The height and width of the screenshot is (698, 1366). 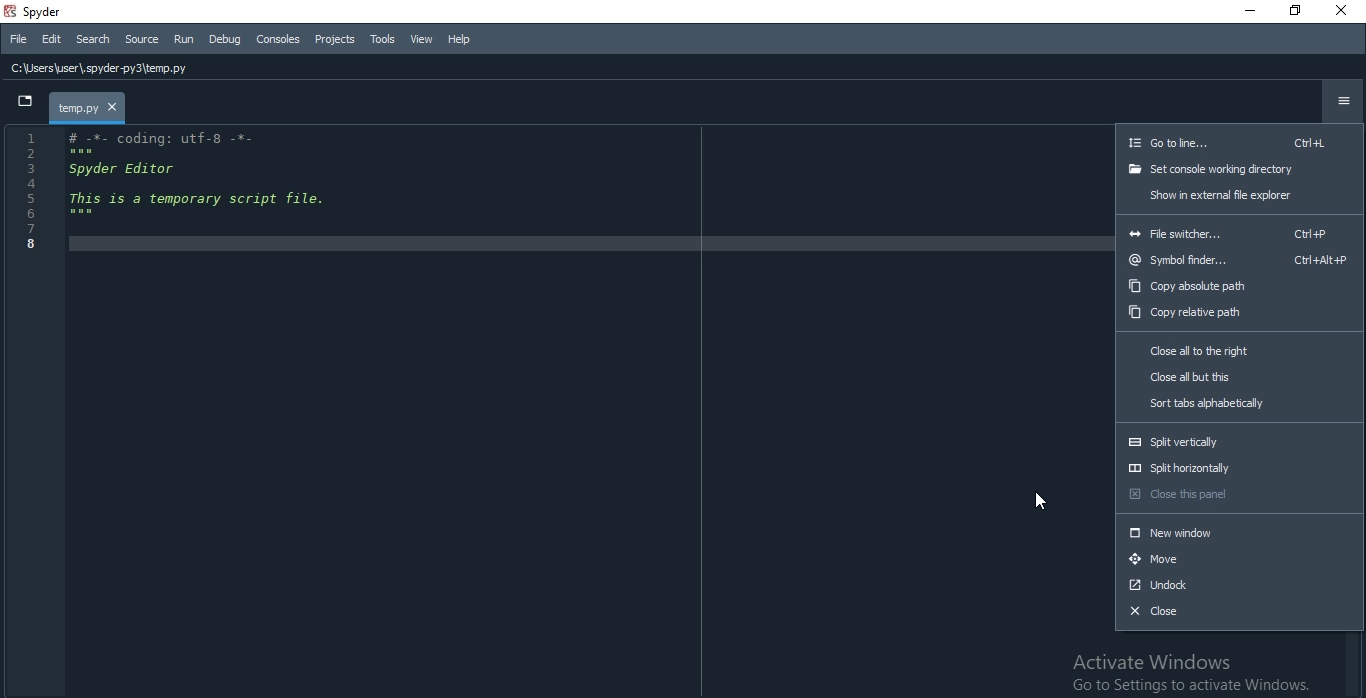 What do you see at coordinates (89, 109) in the screenshot?
I see `tab` at bounding box center [89, 109].